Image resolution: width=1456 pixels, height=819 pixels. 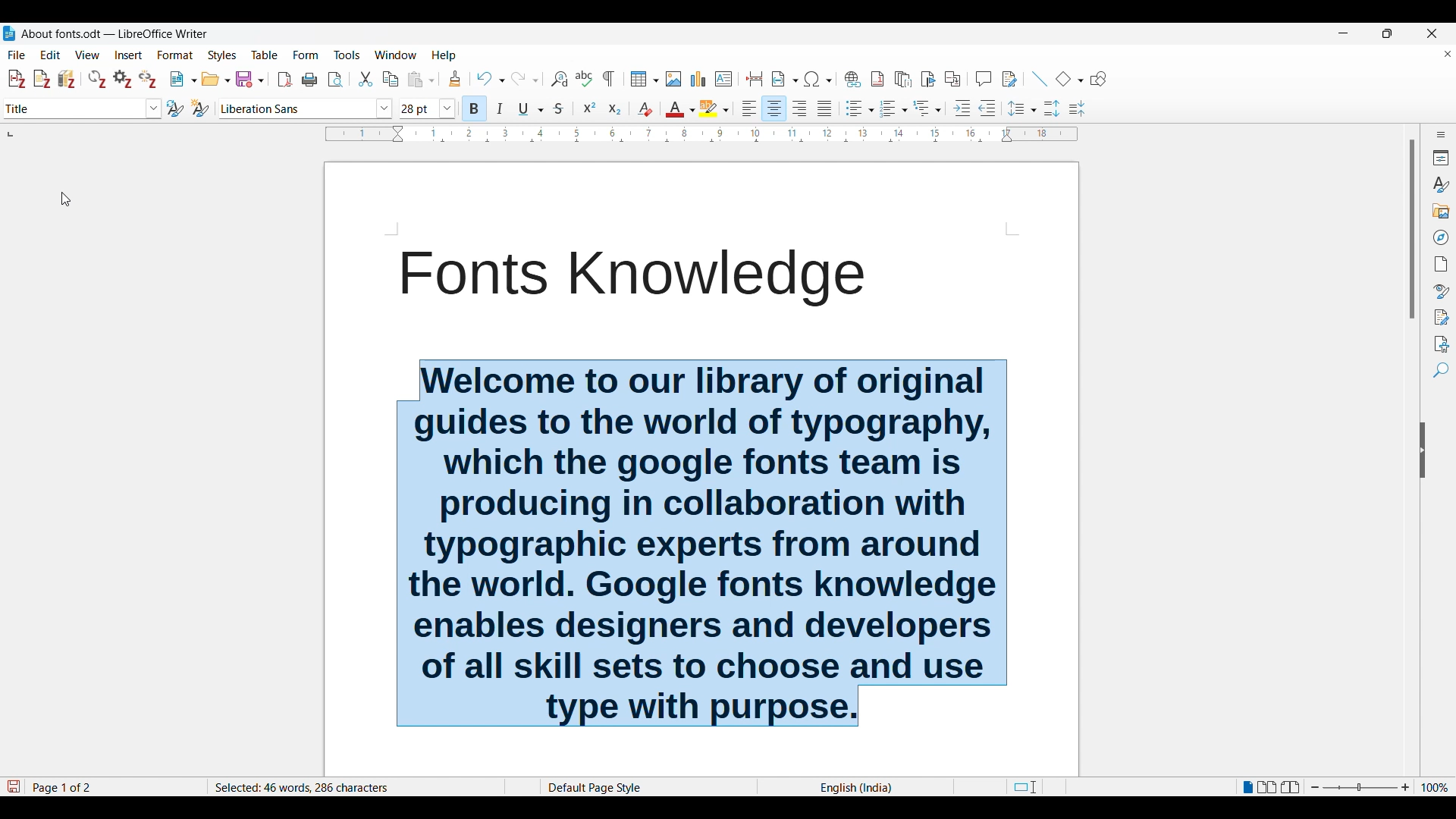 What do you see at coordinates (1268, 787) in the screenshot?
I see `Multiple page view` at bounding box center [1268, 787].